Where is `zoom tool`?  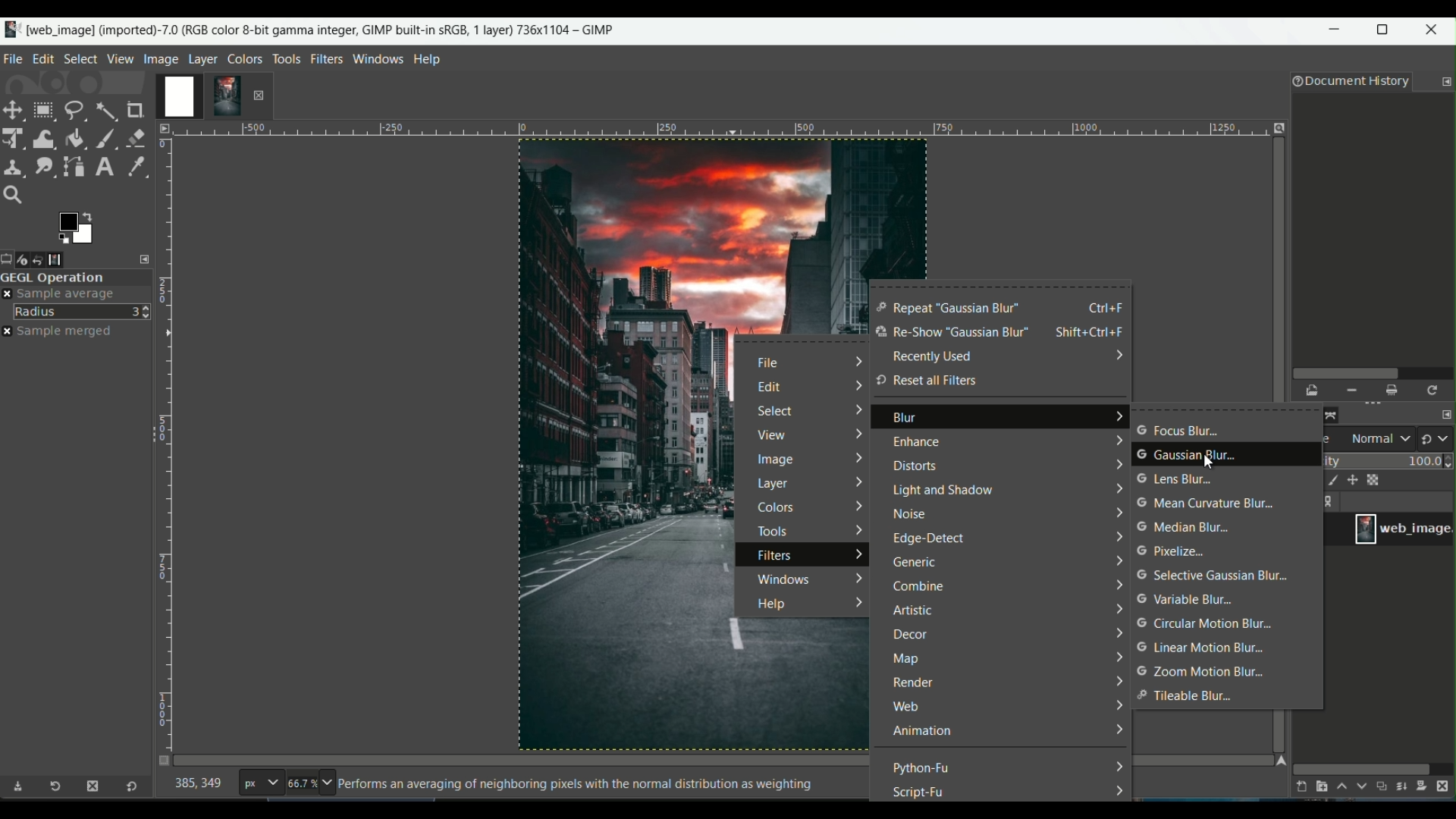
zoom tool is located at coordinates (17, 196).